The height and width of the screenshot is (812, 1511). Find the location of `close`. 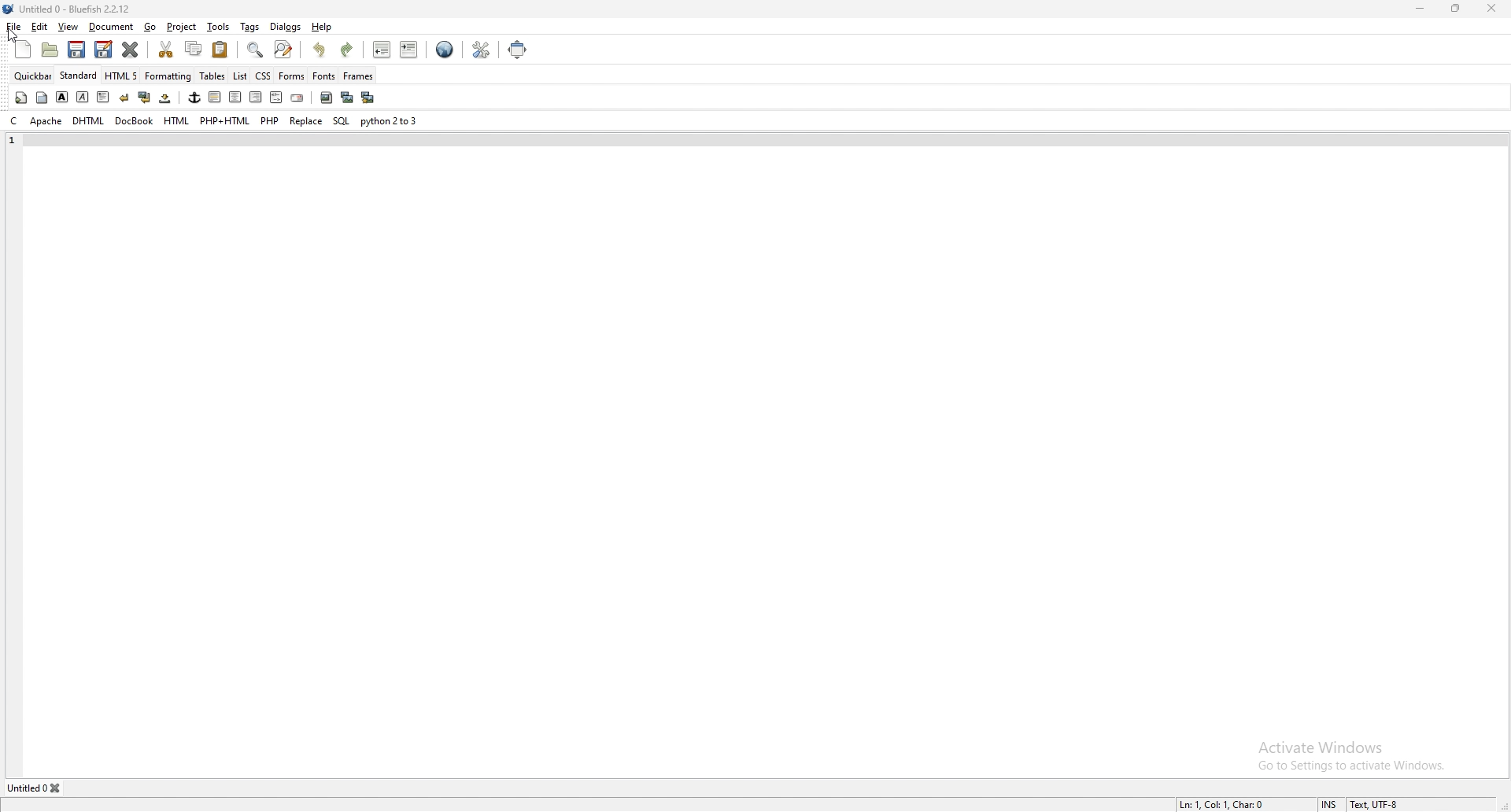

close is located at coordinates (1491, 9).